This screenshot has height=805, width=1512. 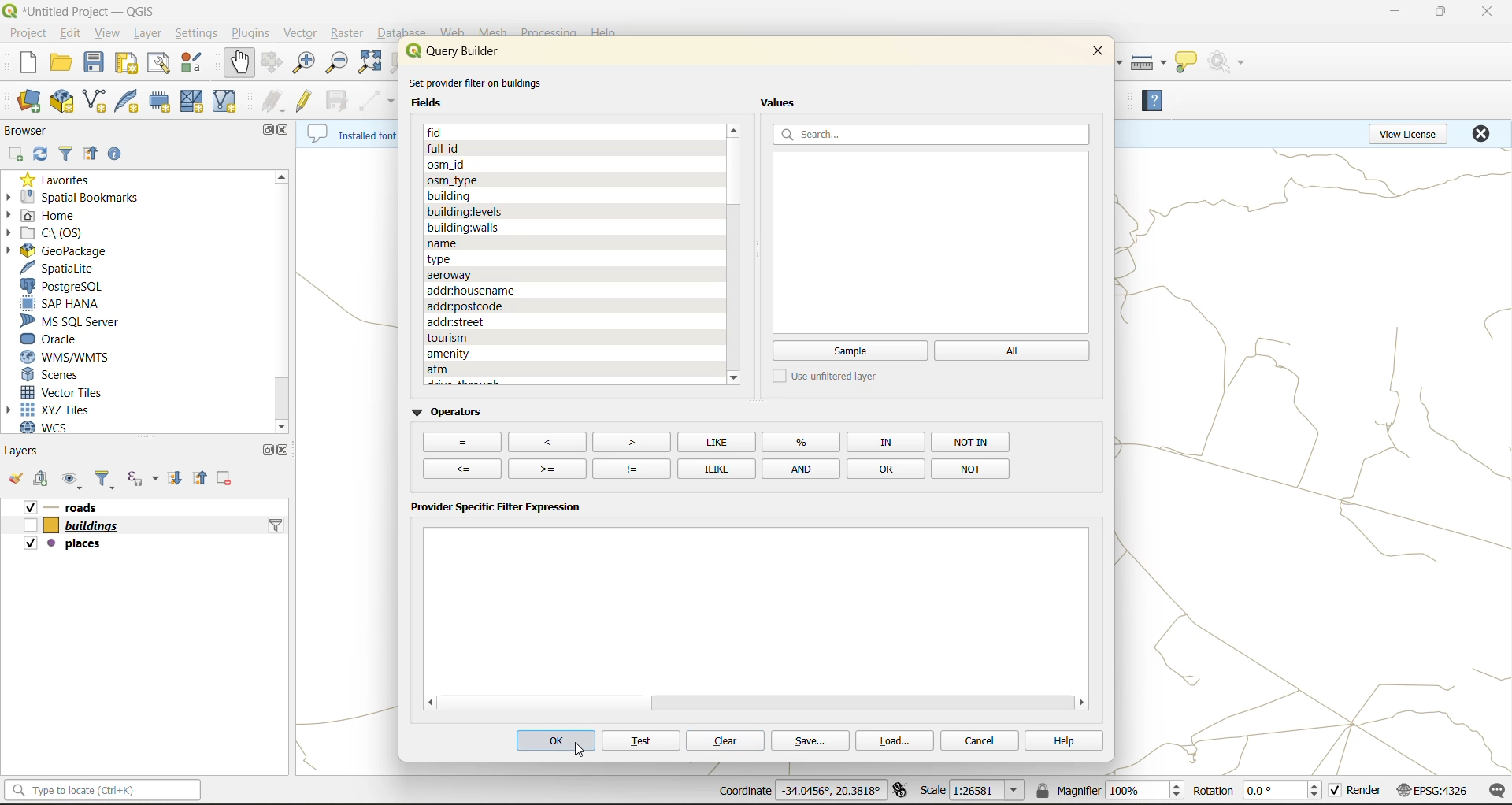 What do you see at coordinates (263, 131) in the screenshot?
I see `maximize` at bounding box center [263, 131].